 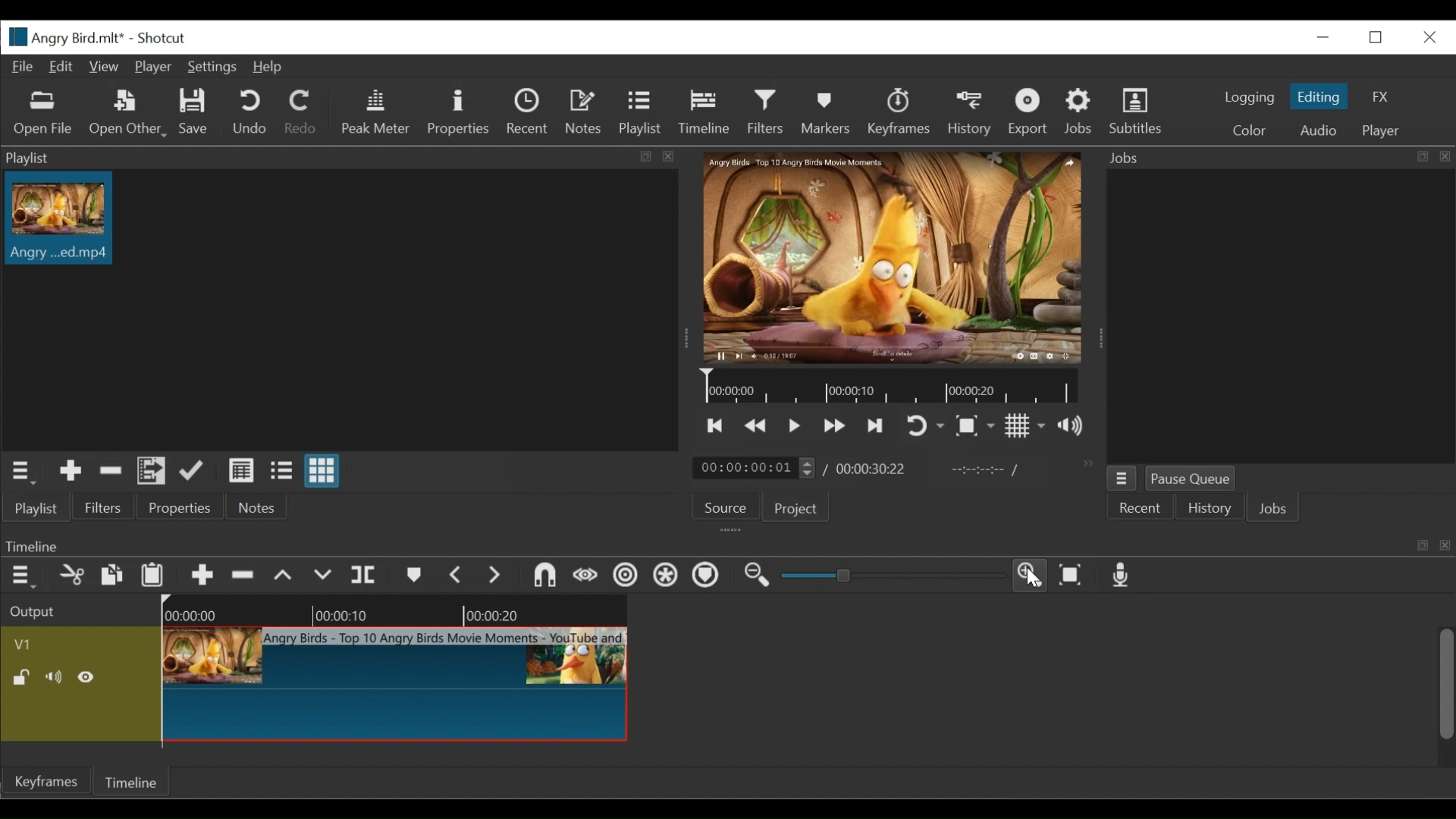 What do you see at coordinates (151, 472) in the screenshot?
I see `Add files to the playlist` at bounding box center [151, 472].